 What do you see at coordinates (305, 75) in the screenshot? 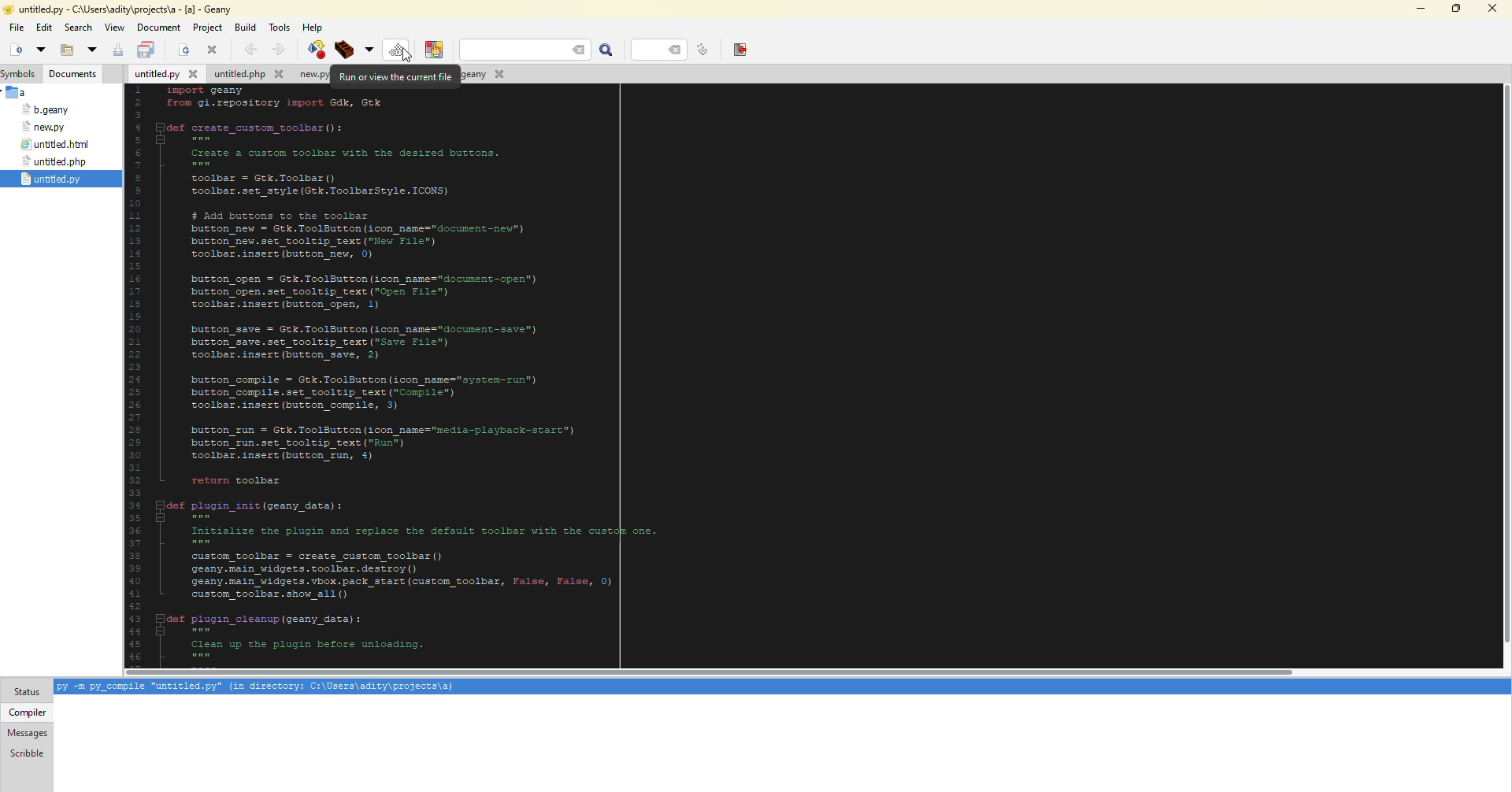
I see `file` at bounding box center [305, 75].